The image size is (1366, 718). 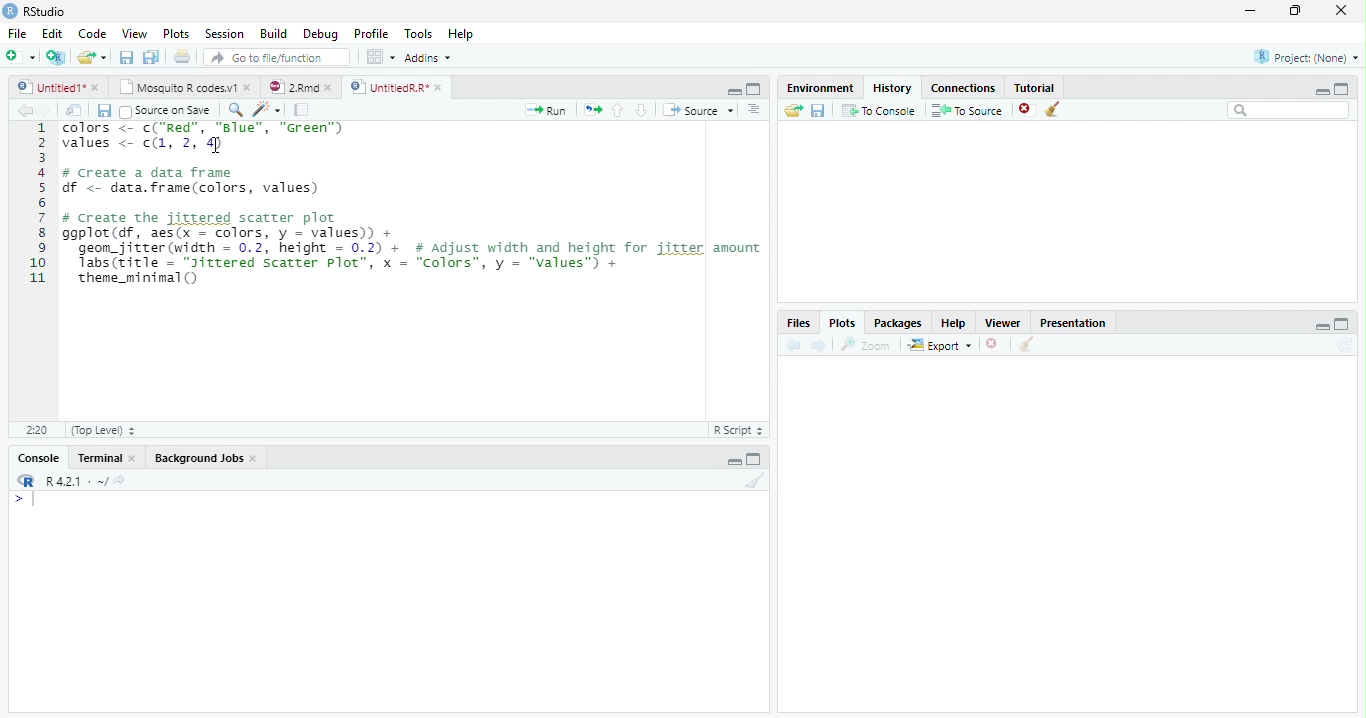 What do you see at coordinates (102, 430) in the screenshot?
I see `(Top Level)` at bounding box center [102, 430].